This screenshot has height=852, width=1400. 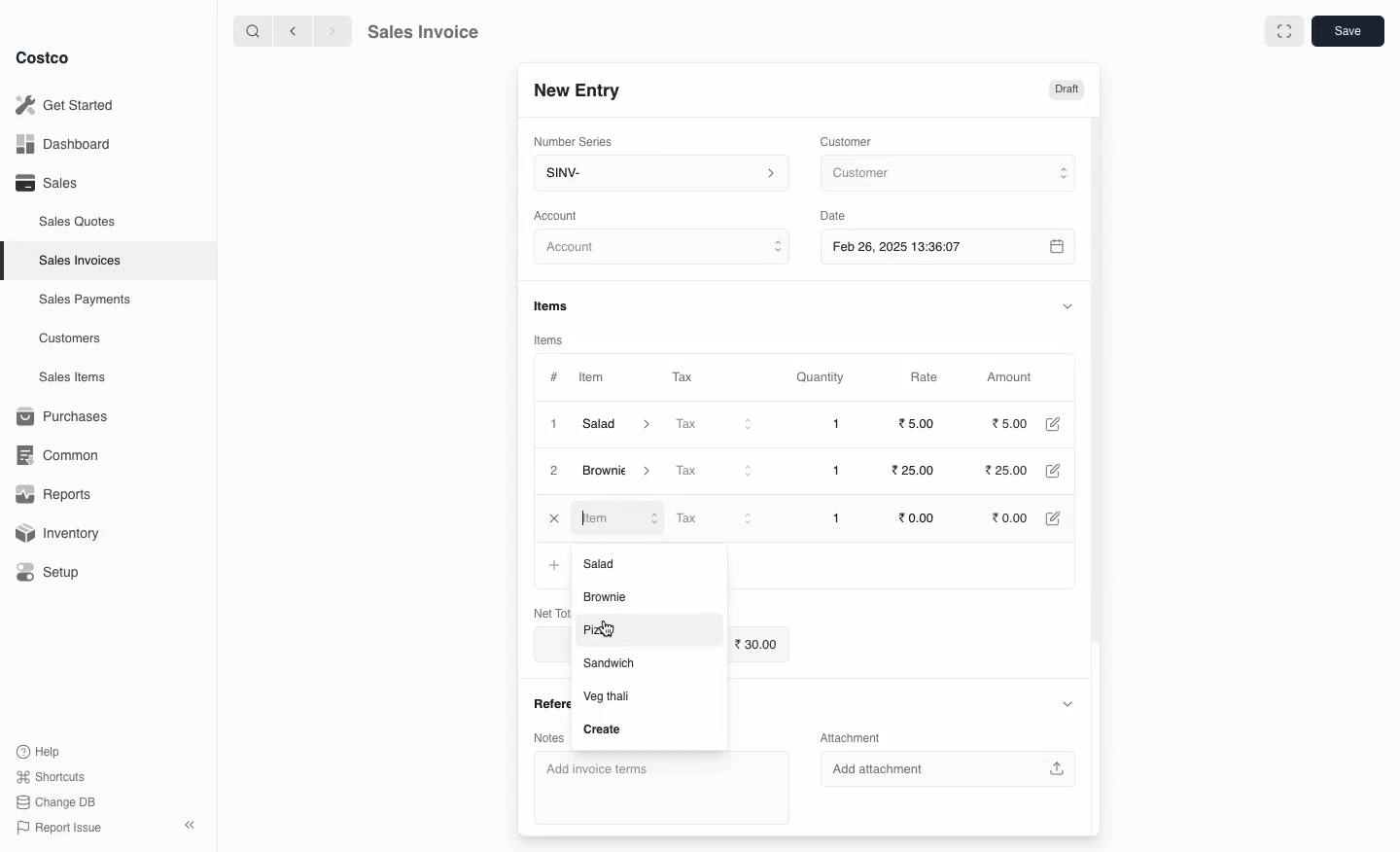 I want to click on Items, so click(x=558, y=305).